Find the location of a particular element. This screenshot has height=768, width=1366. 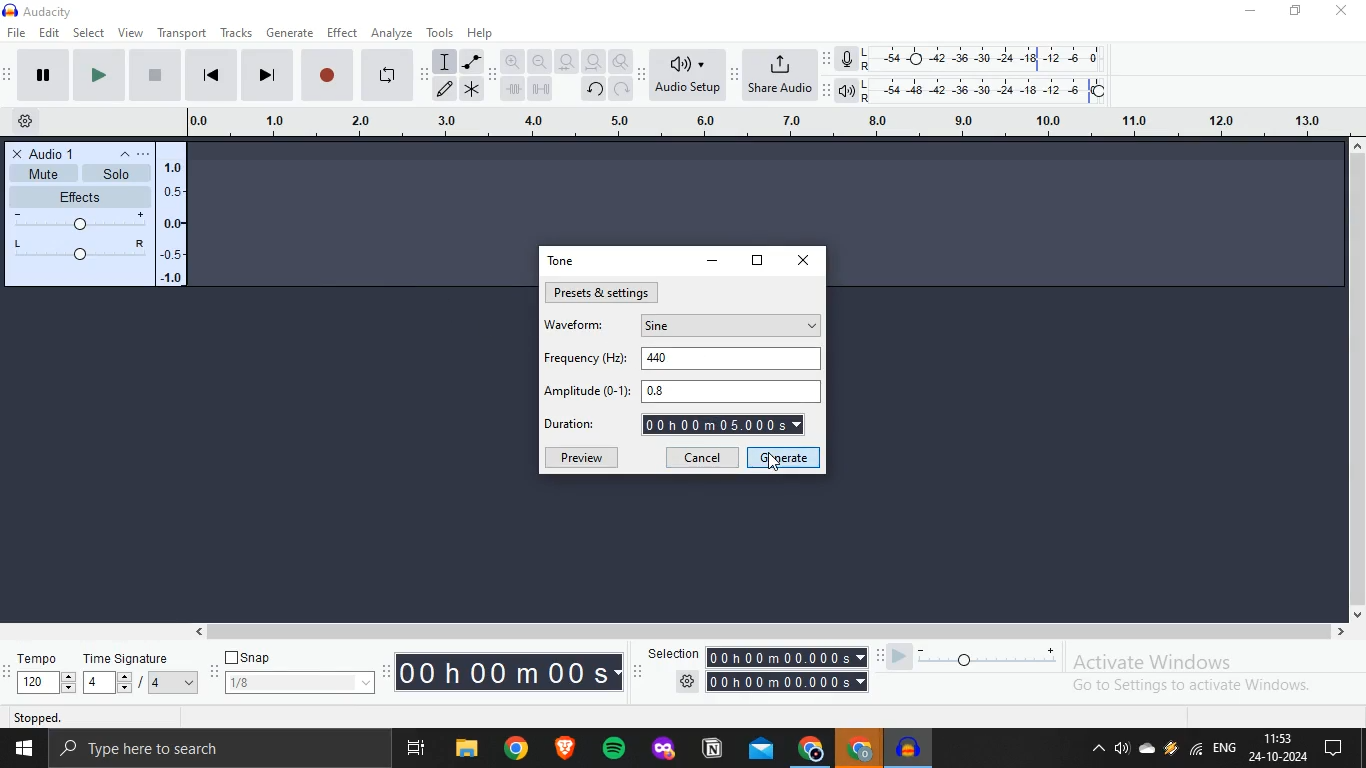

Presets & Settings is located at coordinates (600, 291).